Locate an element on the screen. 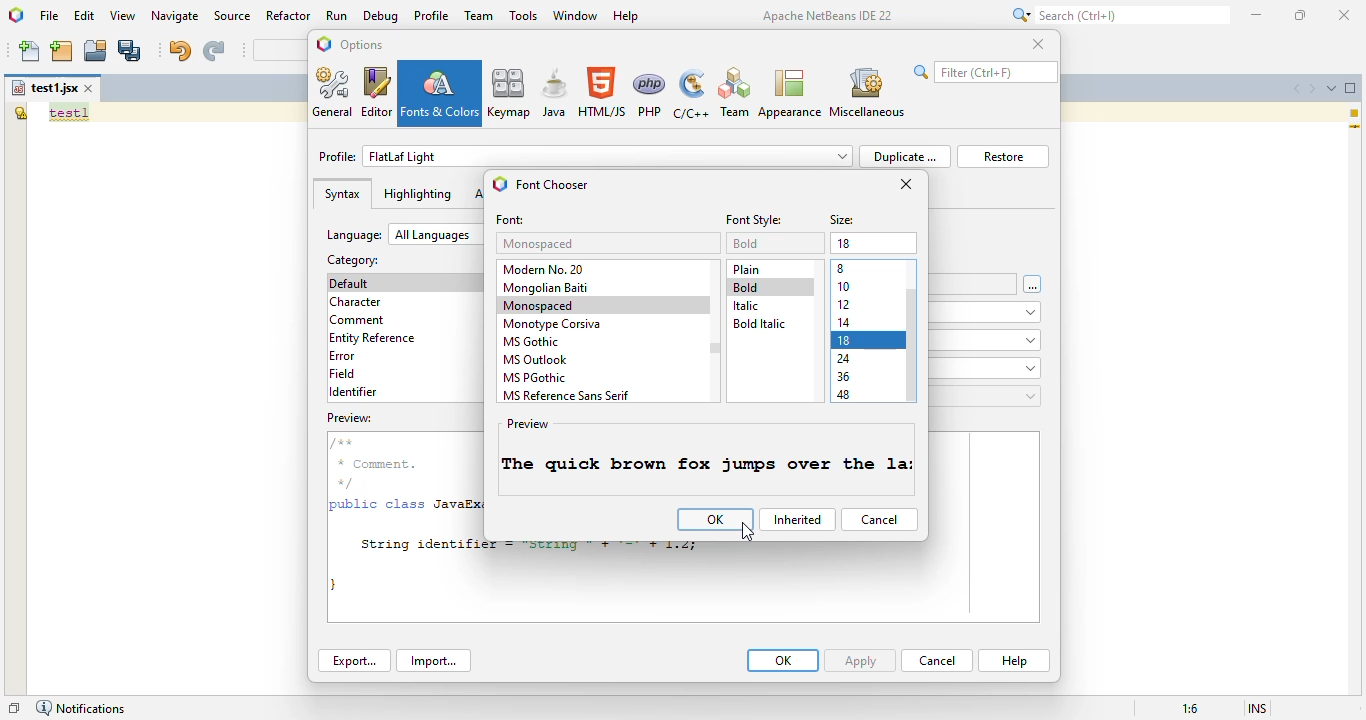  keymap is located at coordinates (509, 92).